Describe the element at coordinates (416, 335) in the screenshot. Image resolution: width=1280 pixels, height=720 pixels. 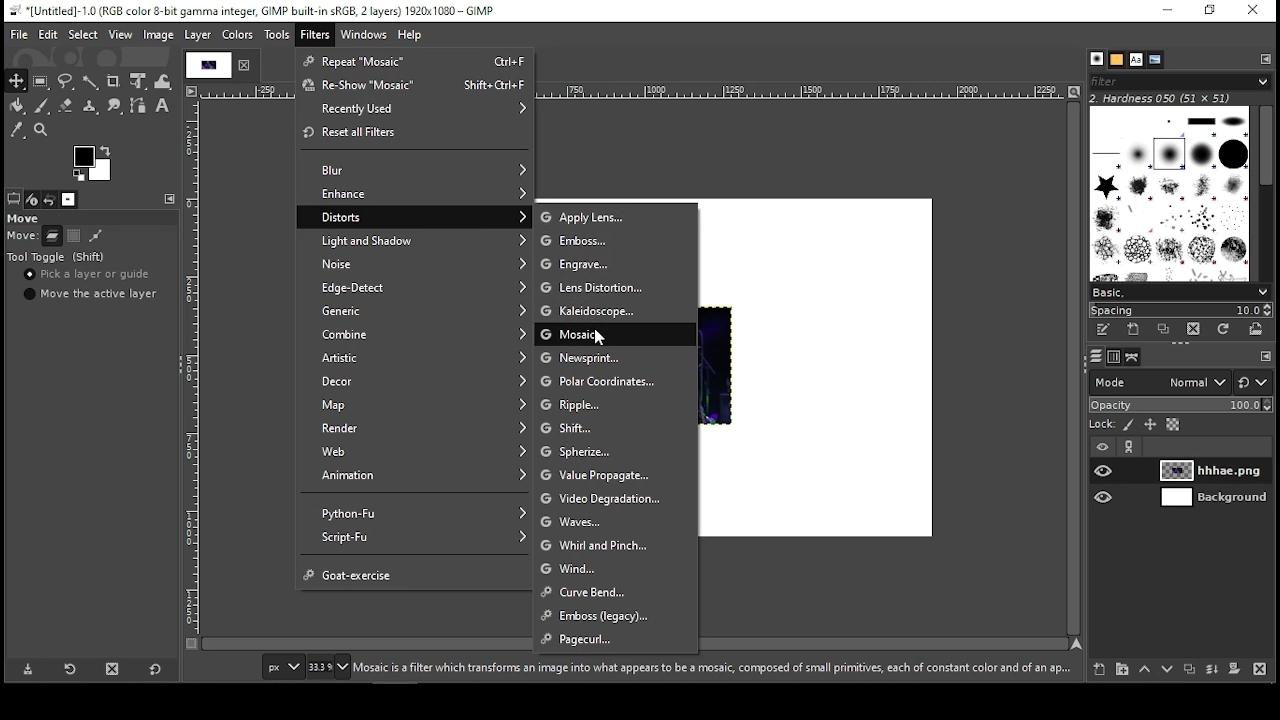
I see `combine` at that location.